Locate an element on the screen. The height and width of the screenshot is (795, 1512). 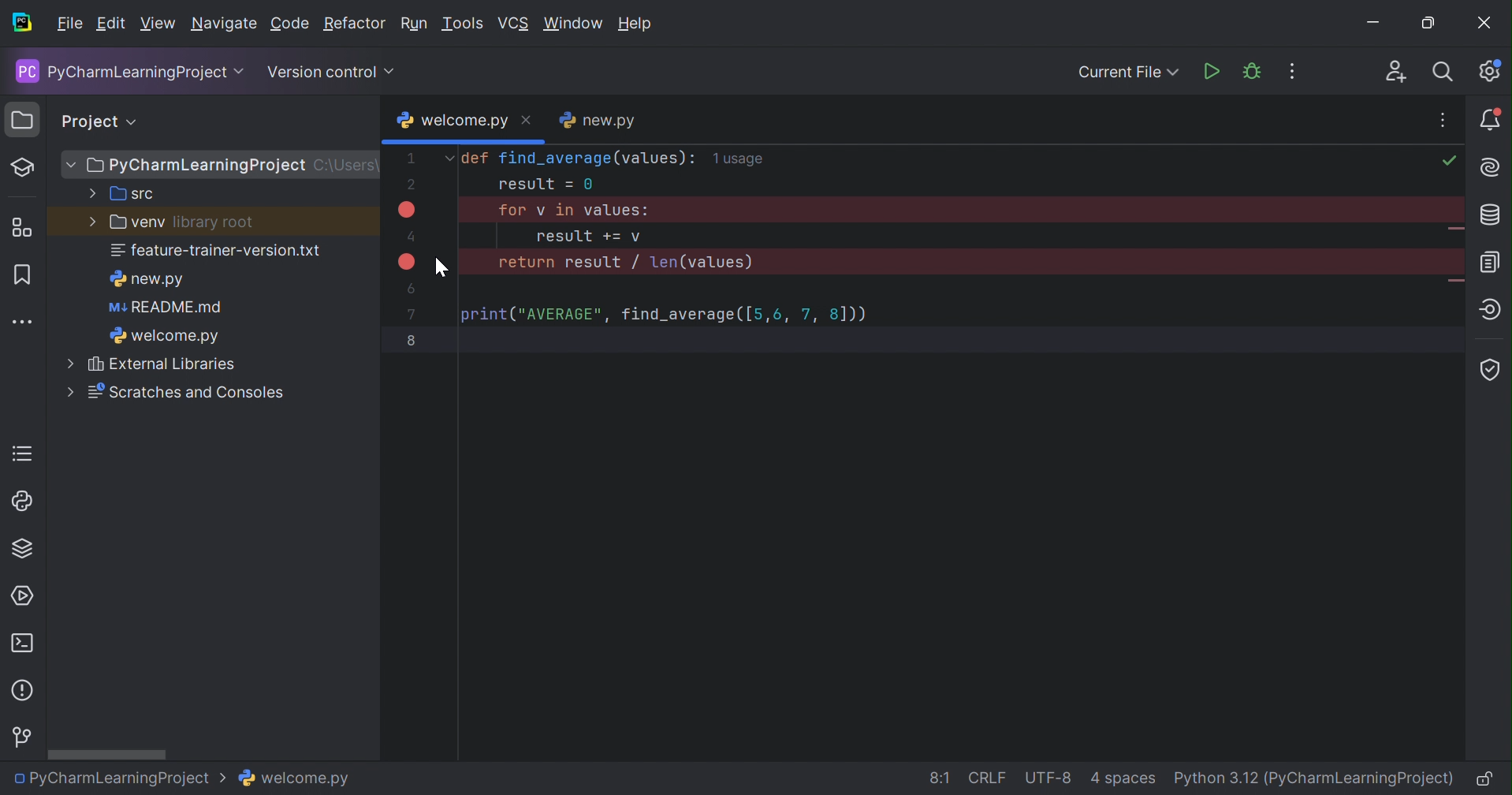
welcome.py is located at coordinates (167, 336).